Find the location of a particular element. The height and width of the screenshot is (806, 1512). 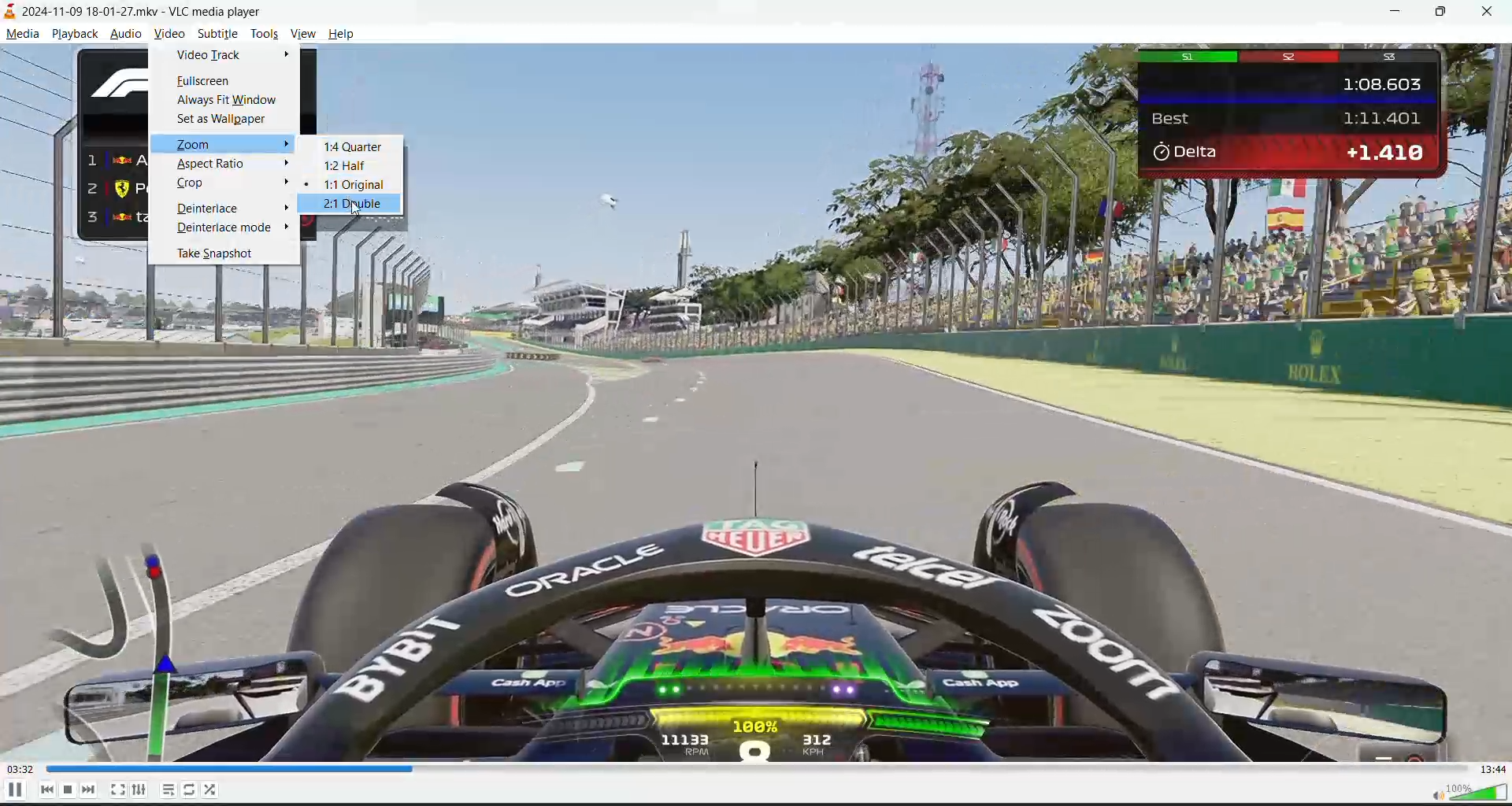

video is located at coordinates (169, 32).